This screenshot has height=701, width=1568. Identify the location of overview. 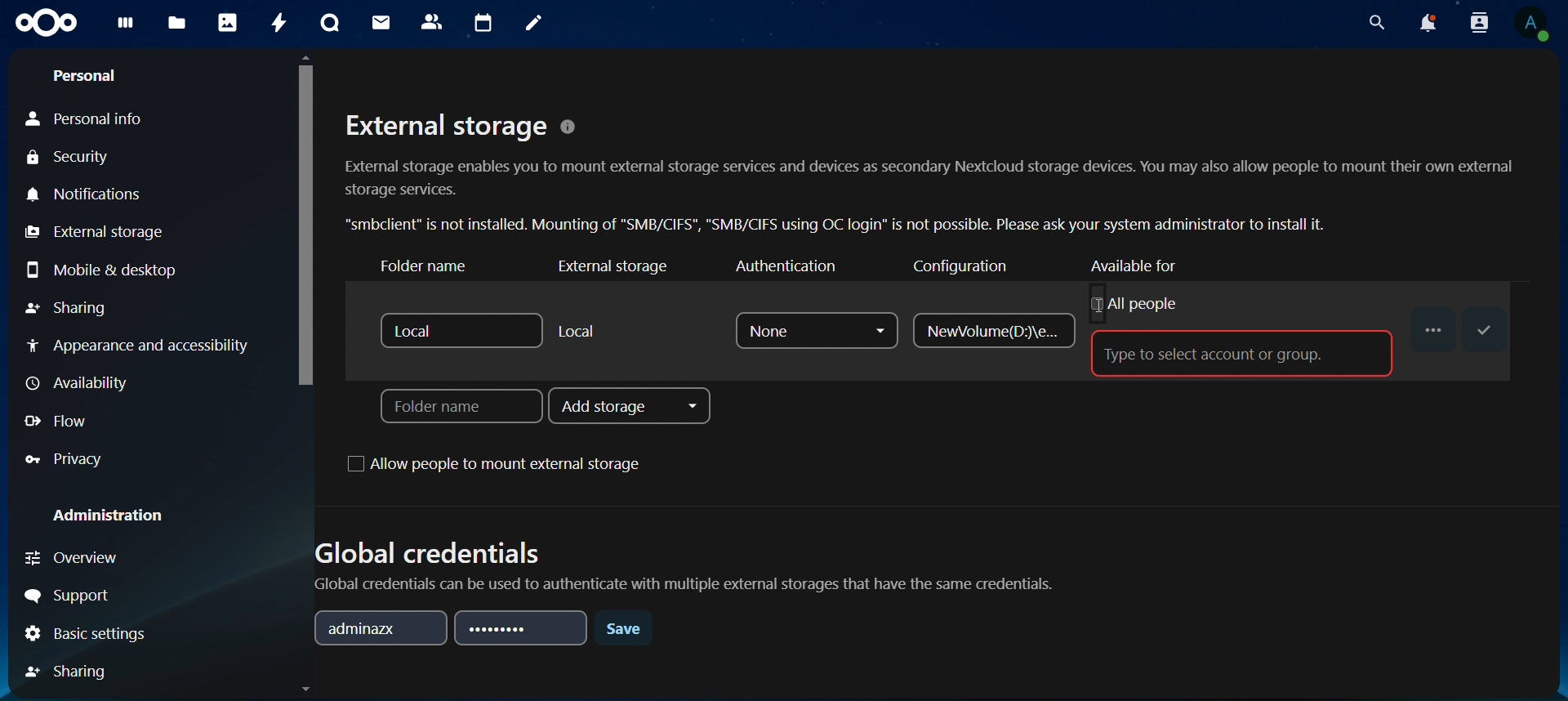
(78, 560).